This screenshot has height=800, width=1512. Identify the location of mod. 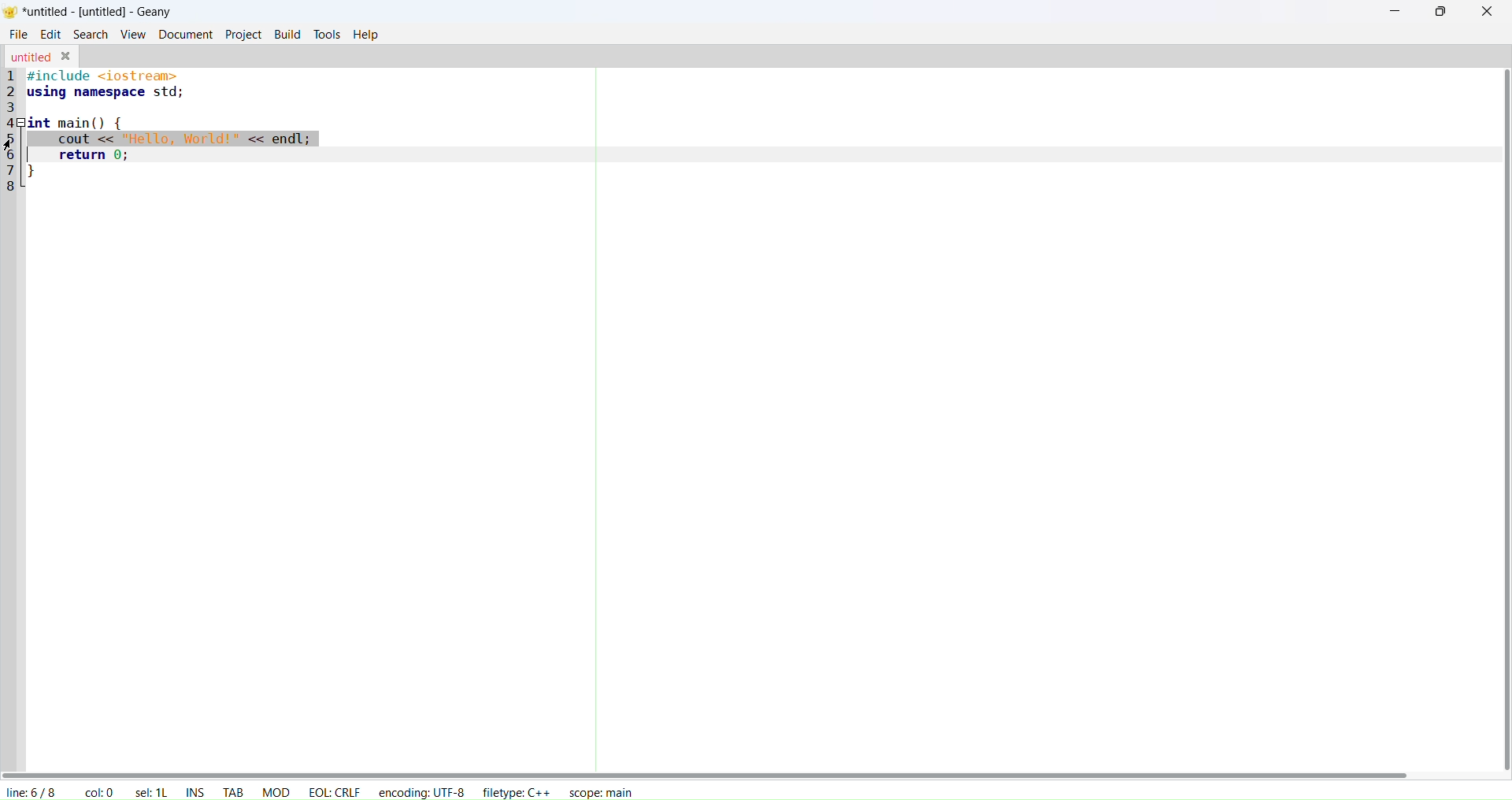
(276, 791).